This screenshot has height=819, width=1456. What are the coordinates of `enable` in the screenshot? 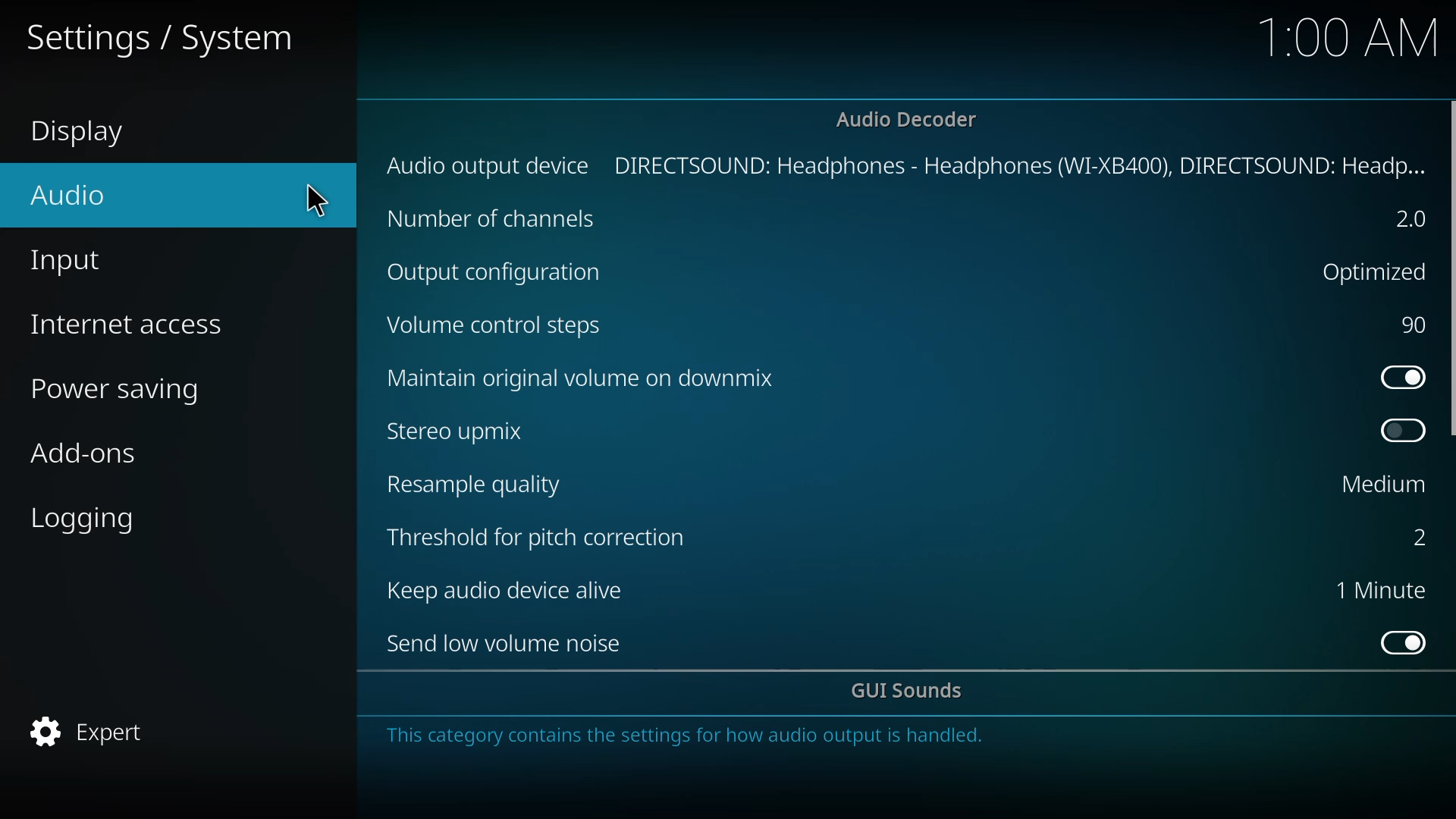 It's located at (1397, 431).